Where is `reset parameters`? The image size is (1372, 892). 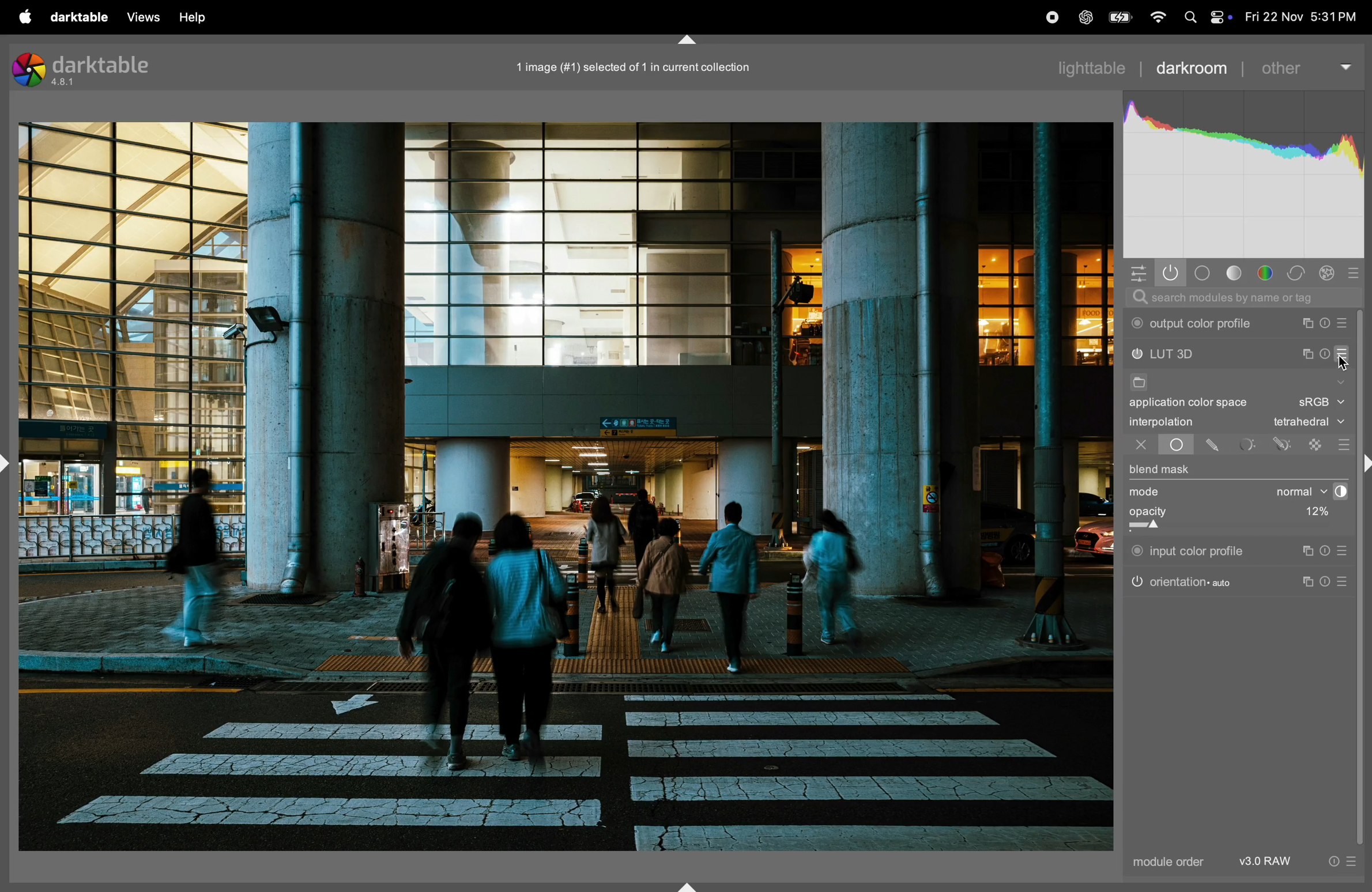 reset parameters is located at coordinates (1329, 323).